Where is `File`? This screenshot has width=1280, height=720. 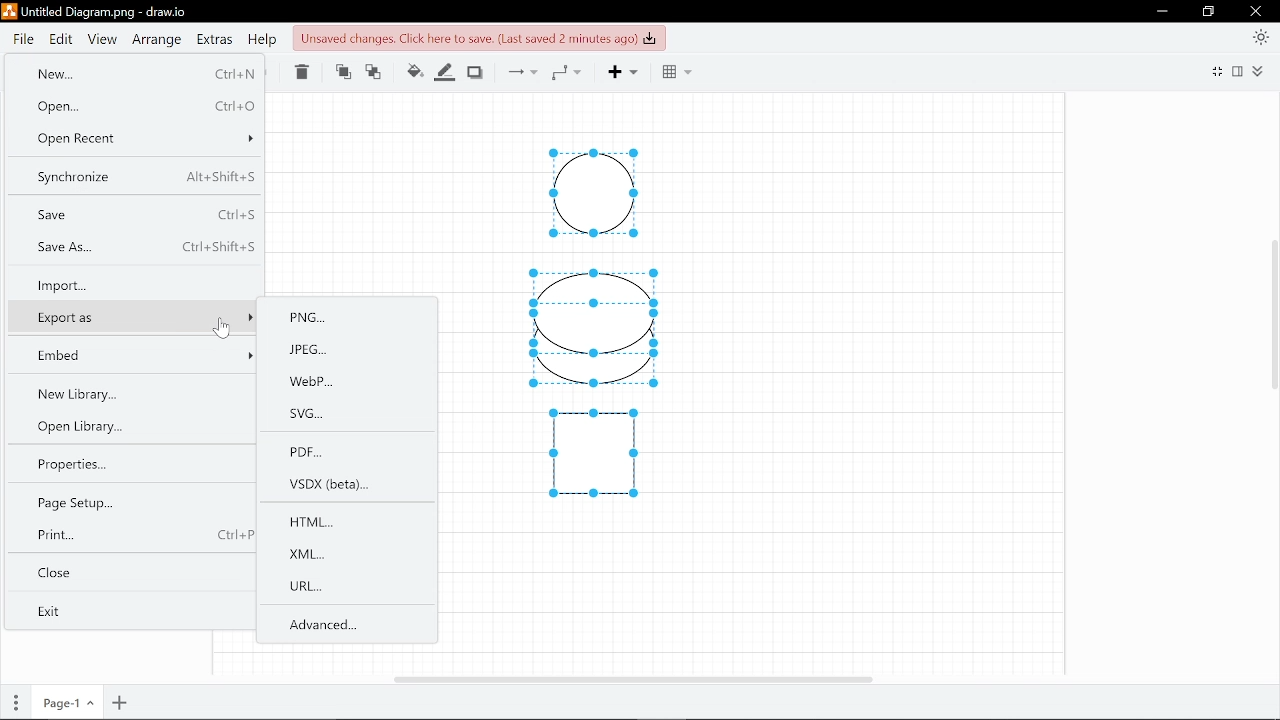 File is located at coordinates (24, 39).